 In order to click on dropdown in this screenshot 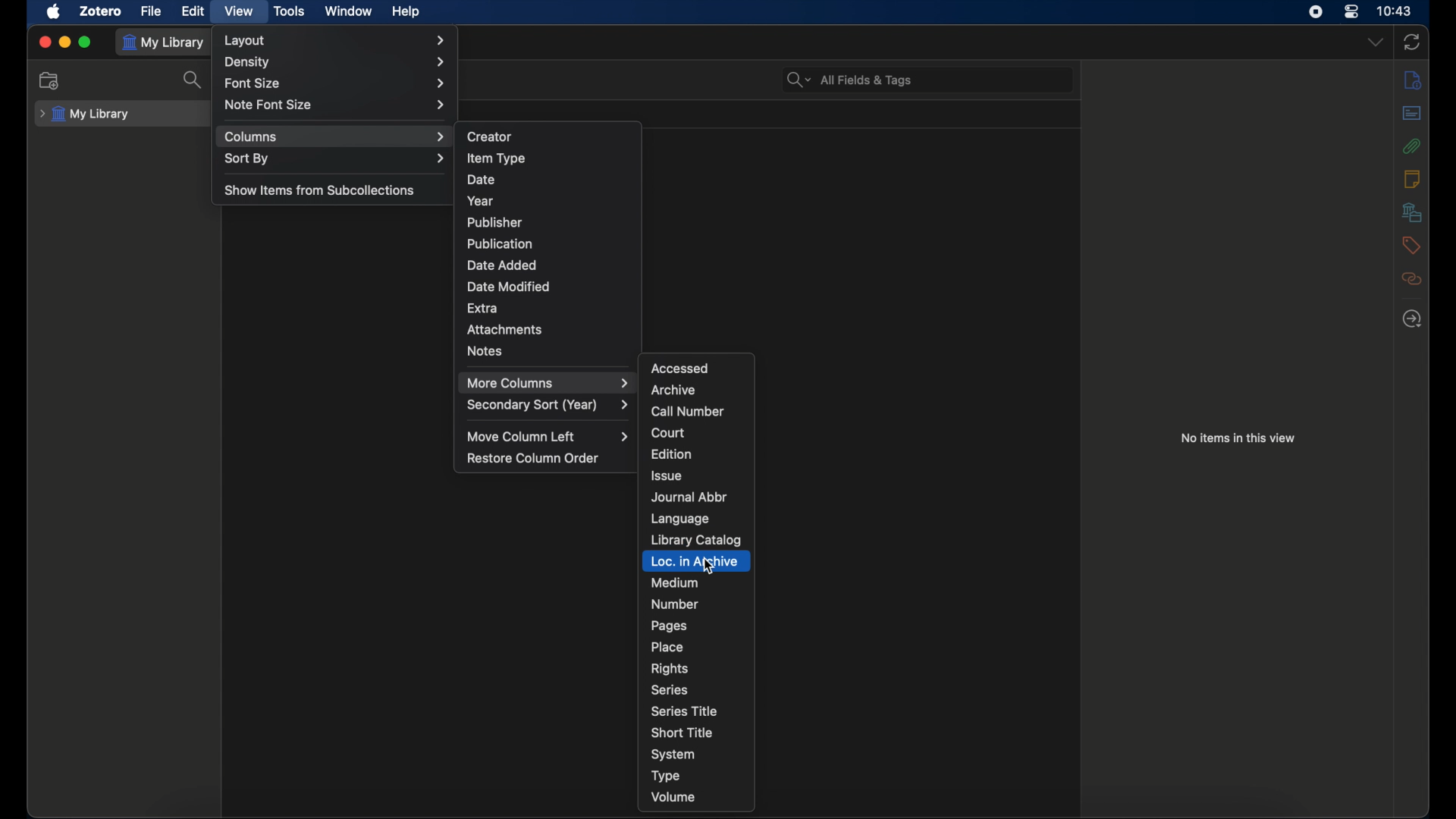, I will do `click(1376, 42)`.